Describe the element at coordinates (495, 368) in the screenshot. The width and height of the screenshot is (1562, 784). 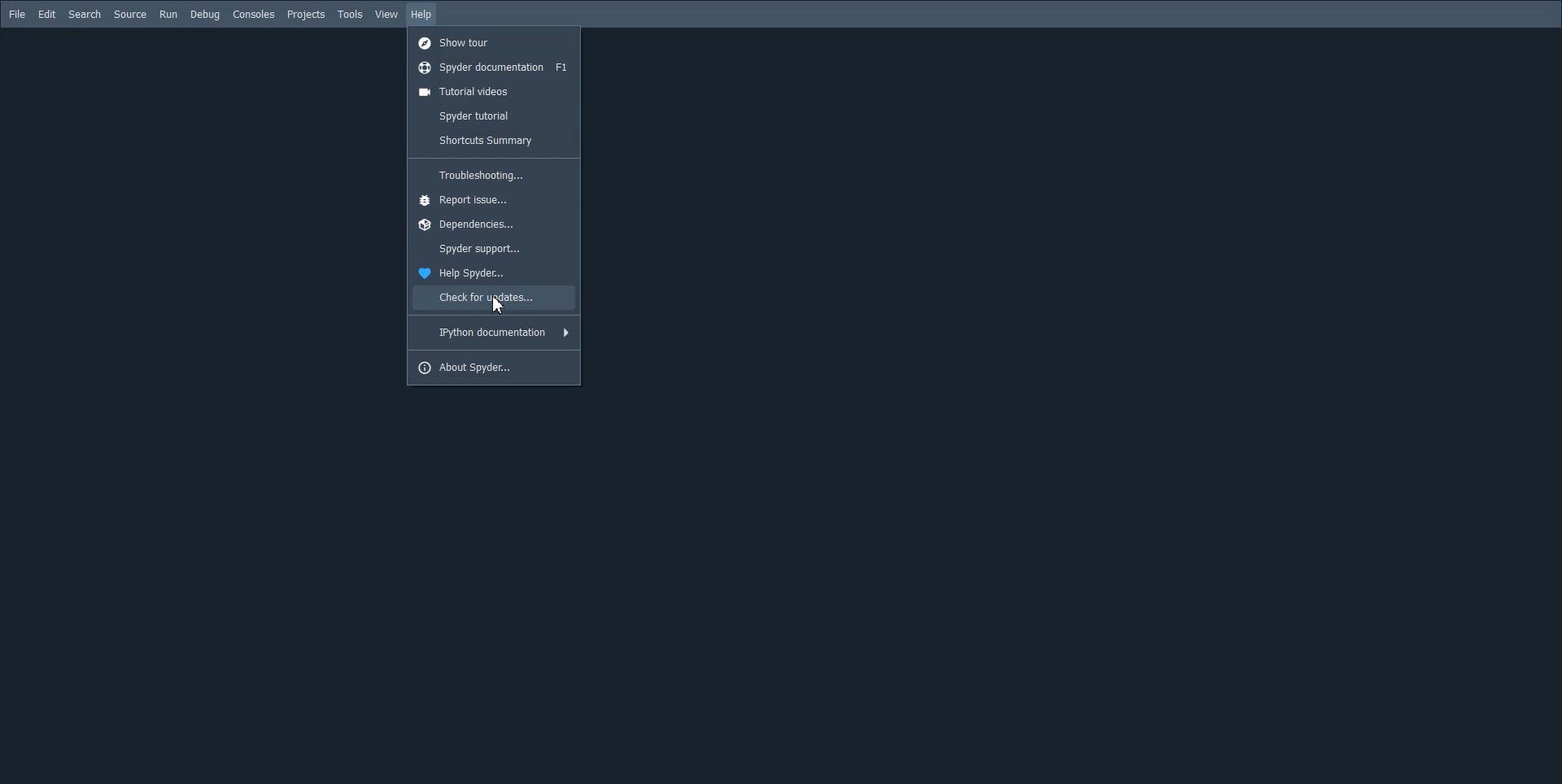
I see `About spyder` at that location.